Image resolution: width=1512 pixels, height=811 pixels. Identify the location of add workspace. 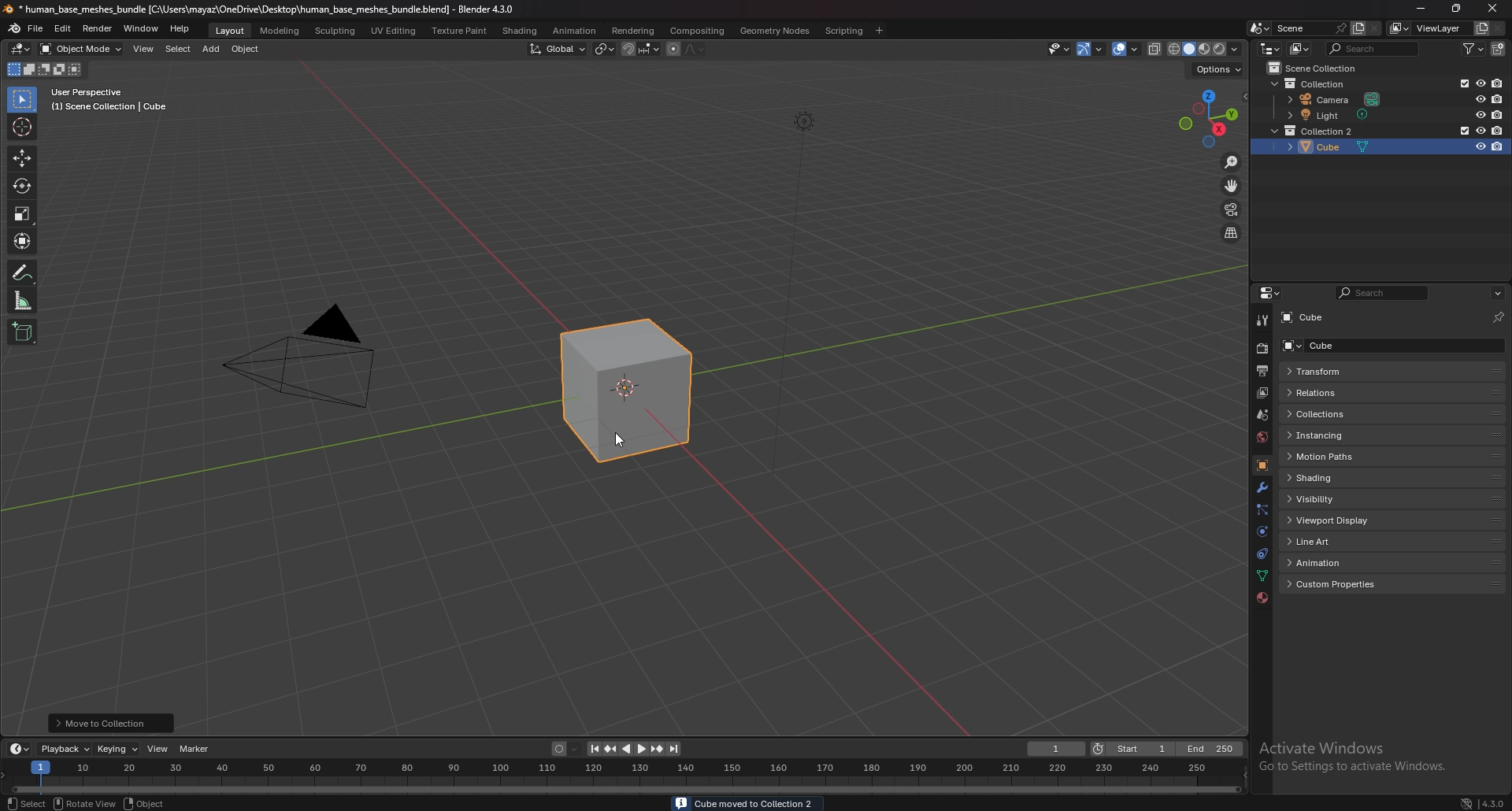
(877, 31).